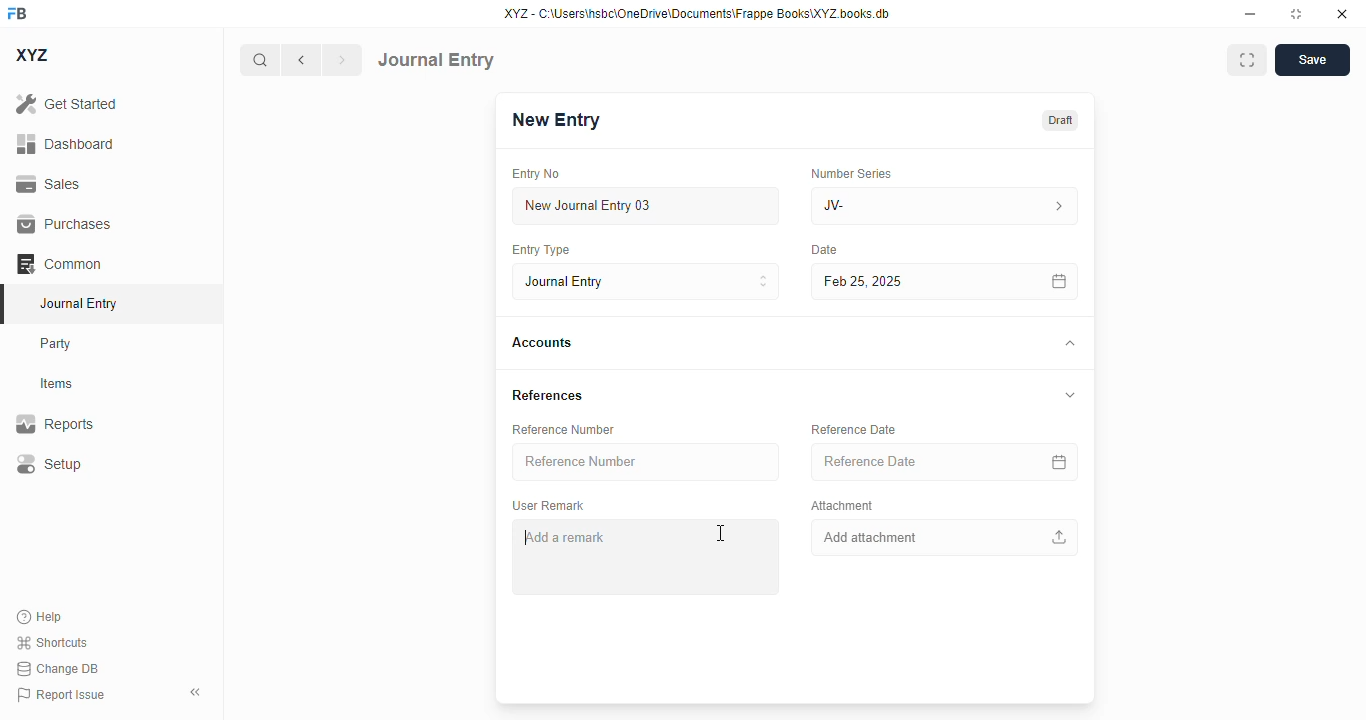  Describe the element at coordinates (697, 13) in the screenshot. I see `XYZ - C:\Users\hsbc\OneDrive\Documents\Frappe Books\XYZ books.db` at that location.